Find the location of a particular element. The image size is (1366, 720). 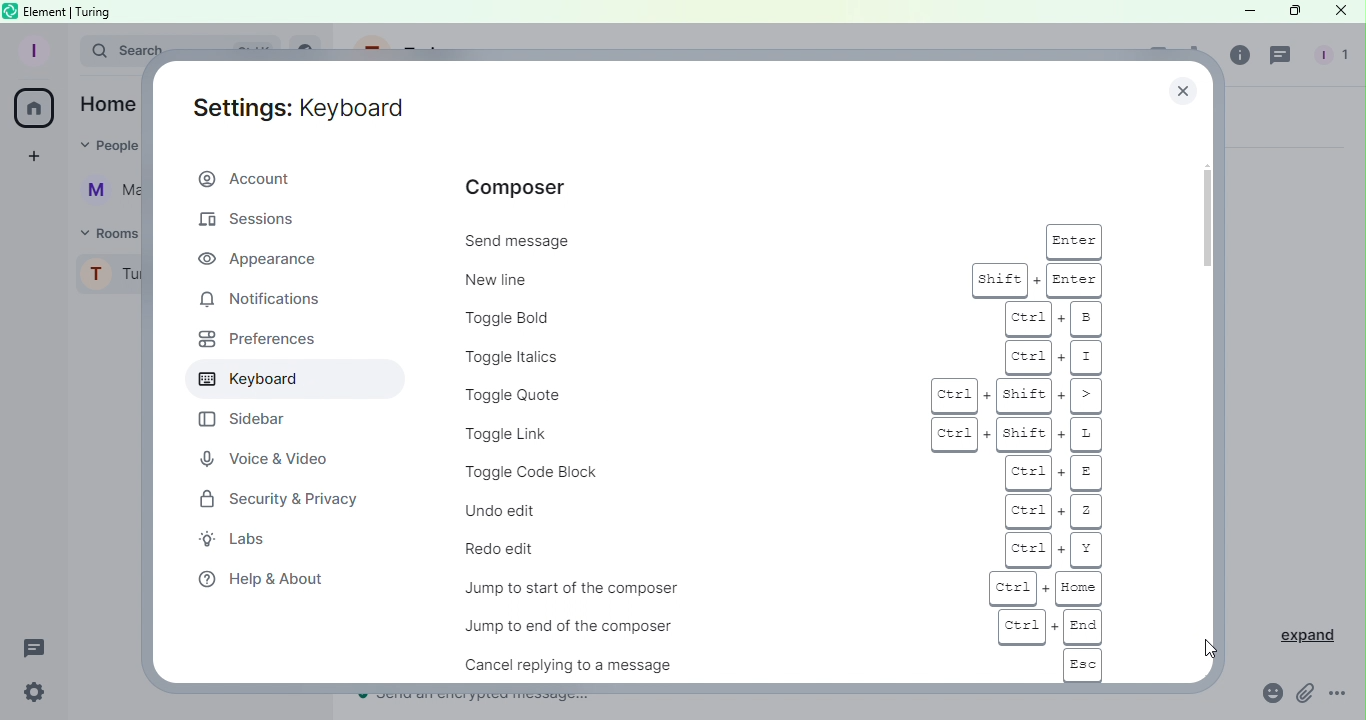

Security and privacy is located at coordinates (272, 498).